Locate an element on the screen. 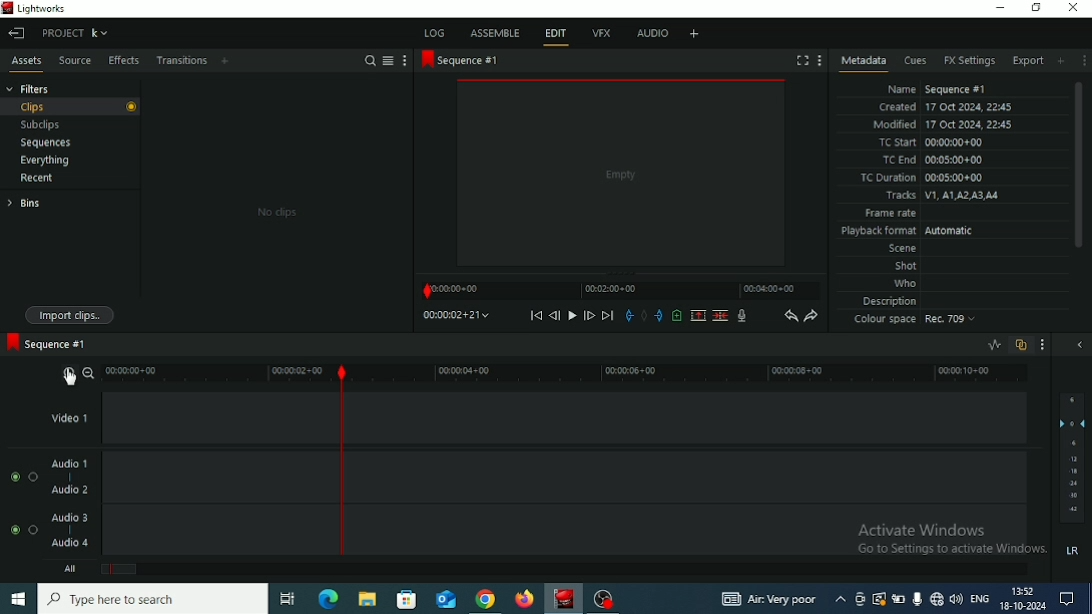 This screenshot has height=614, width=1092. Notifications is located at coordinates (1067, 598).